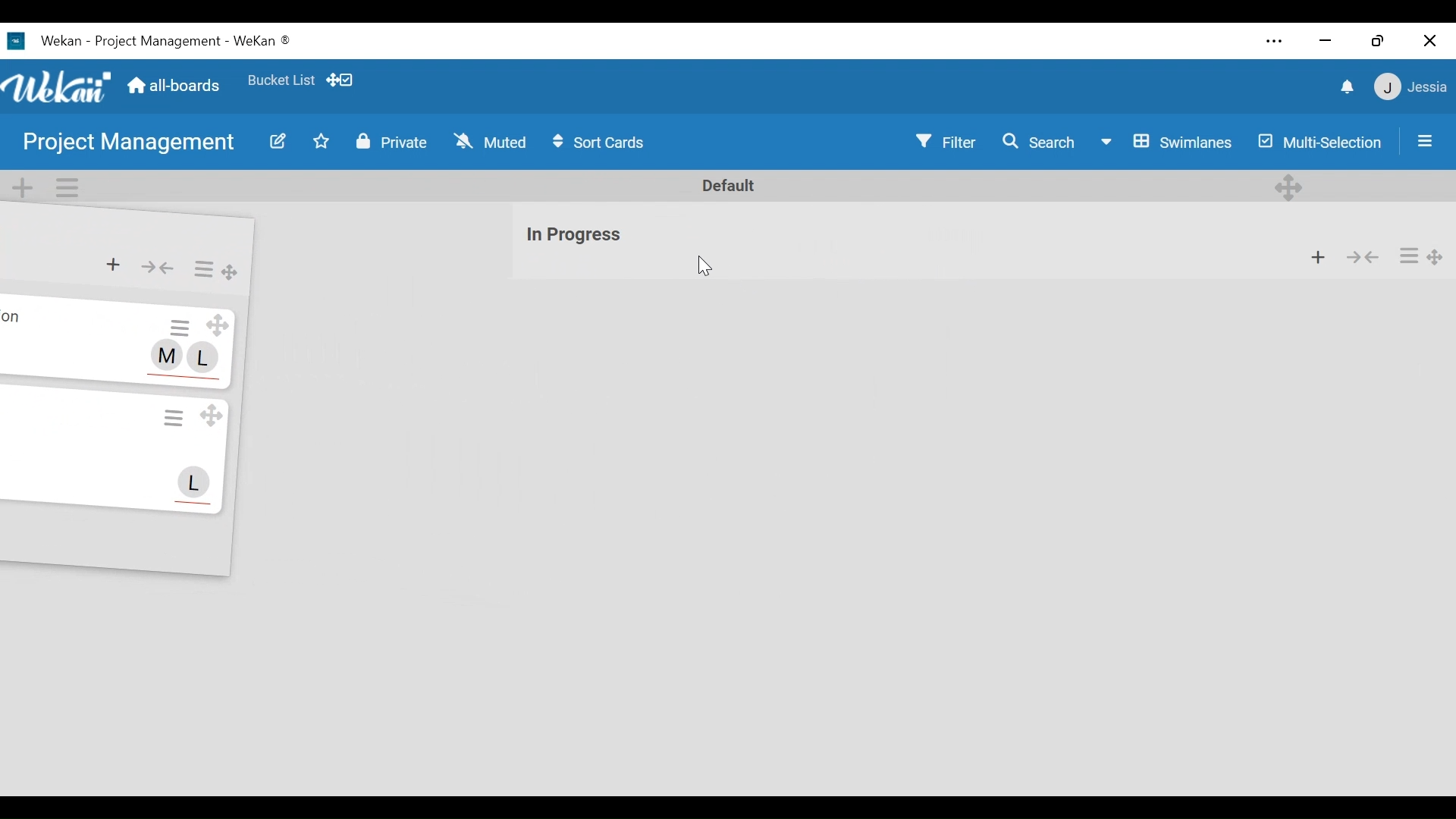  I want to click on Private, so click(394, 143).